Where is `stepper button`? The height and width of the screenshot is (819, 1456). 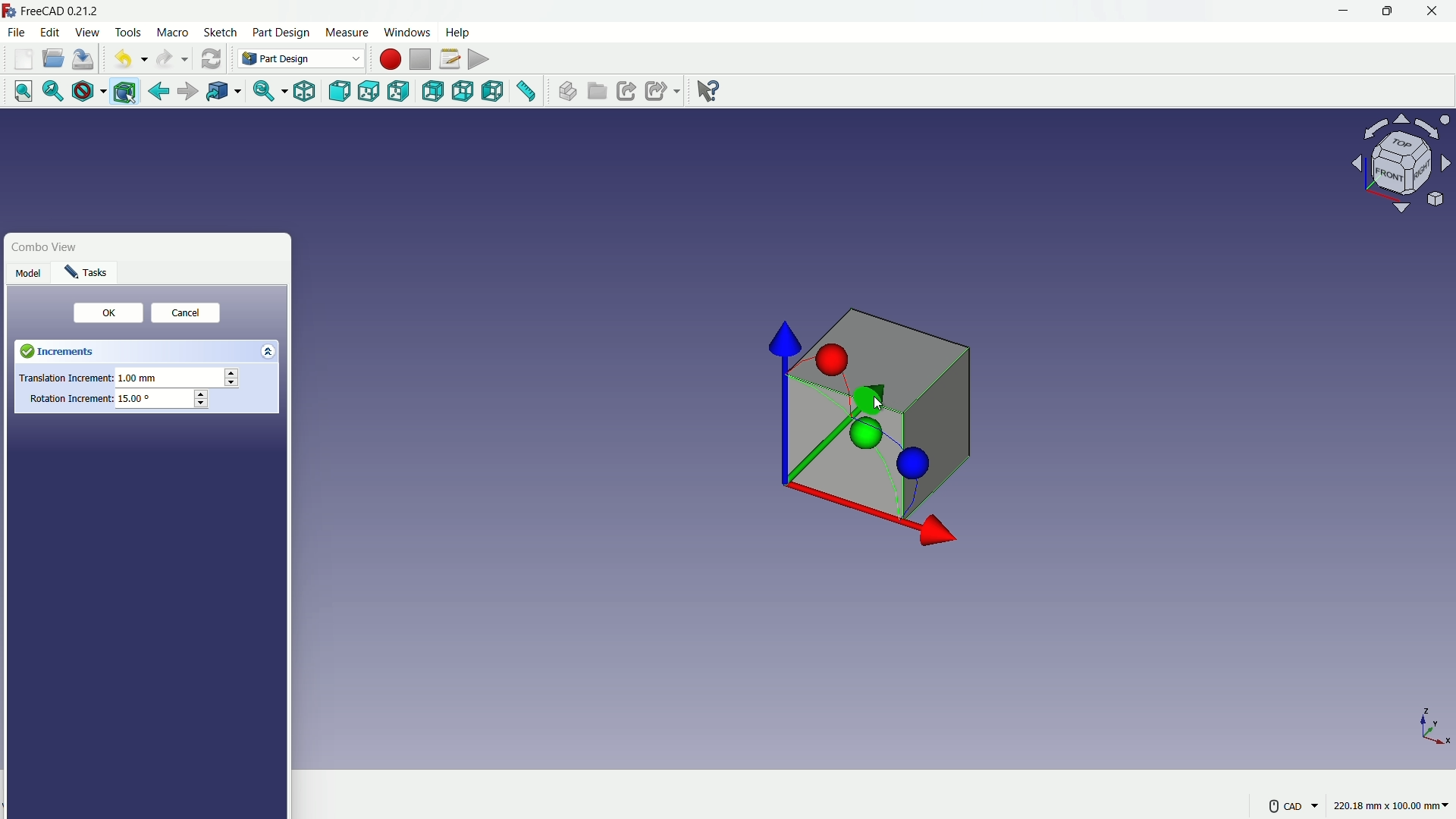 stepper button is located at coordinates (200, 400).